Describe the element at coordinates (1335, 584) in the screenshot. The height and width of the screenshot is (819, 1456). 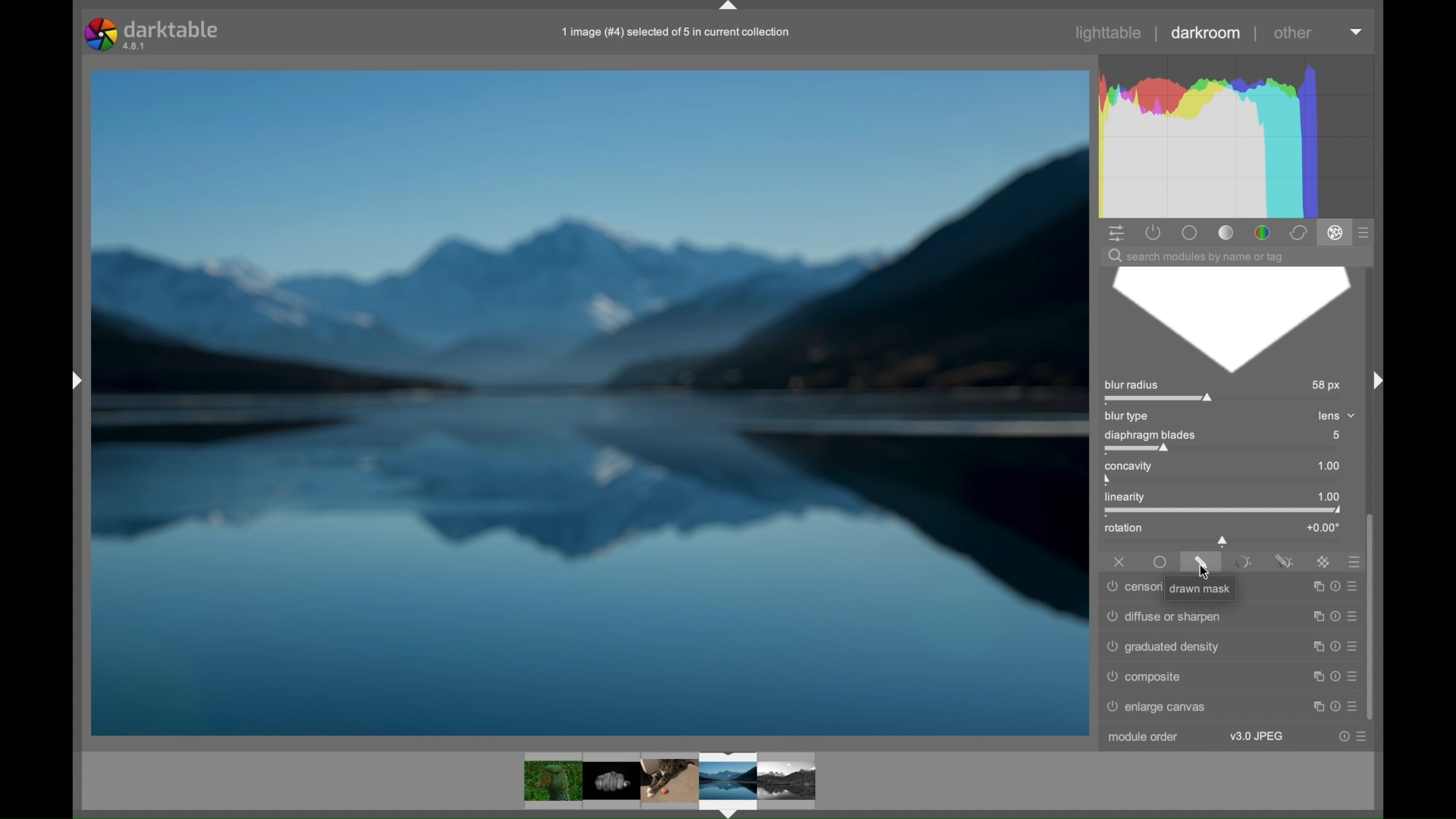
I see `Help` at that location.